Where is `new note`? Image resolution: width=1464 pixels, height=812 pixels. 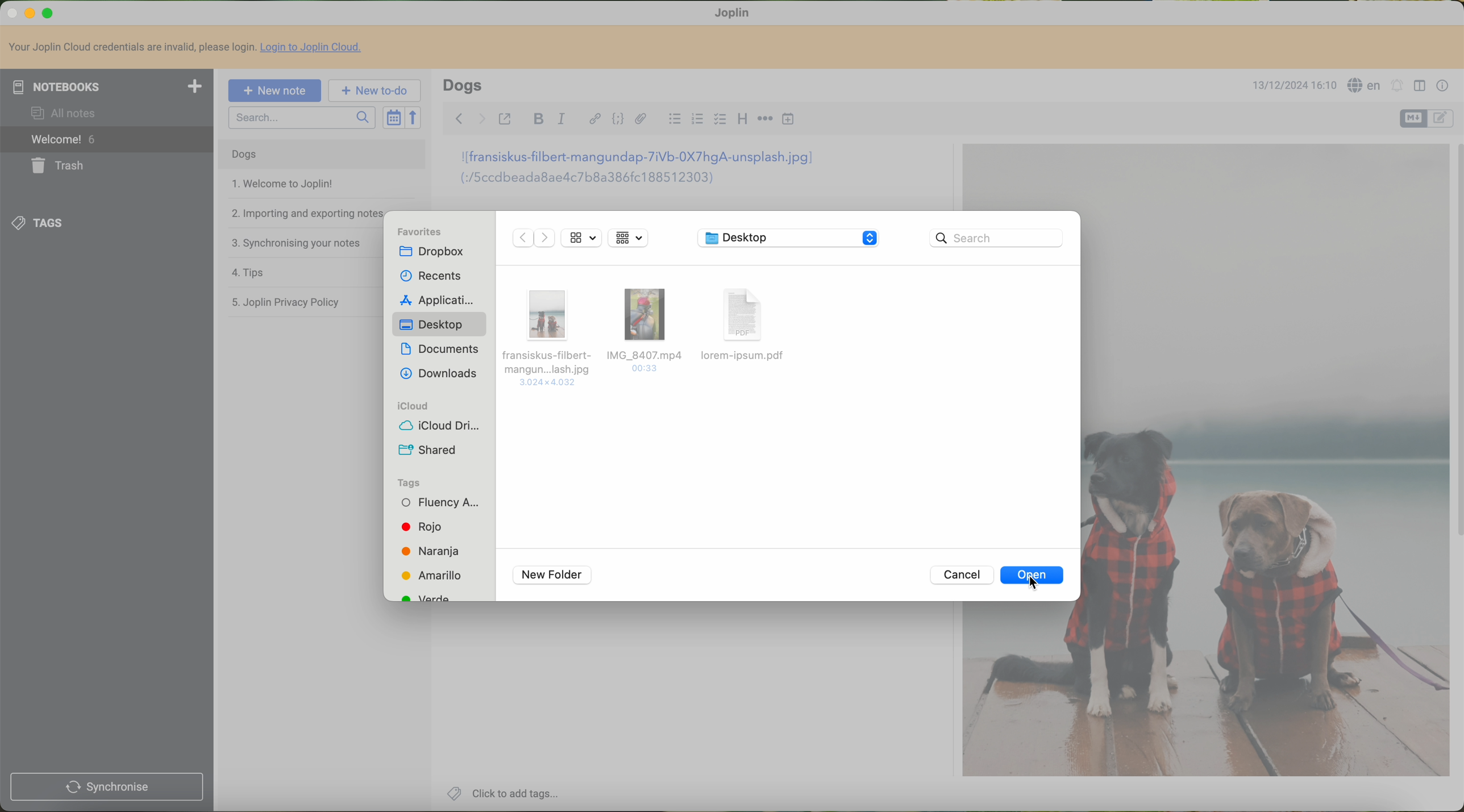 new note is located at coordinates (275, 89).